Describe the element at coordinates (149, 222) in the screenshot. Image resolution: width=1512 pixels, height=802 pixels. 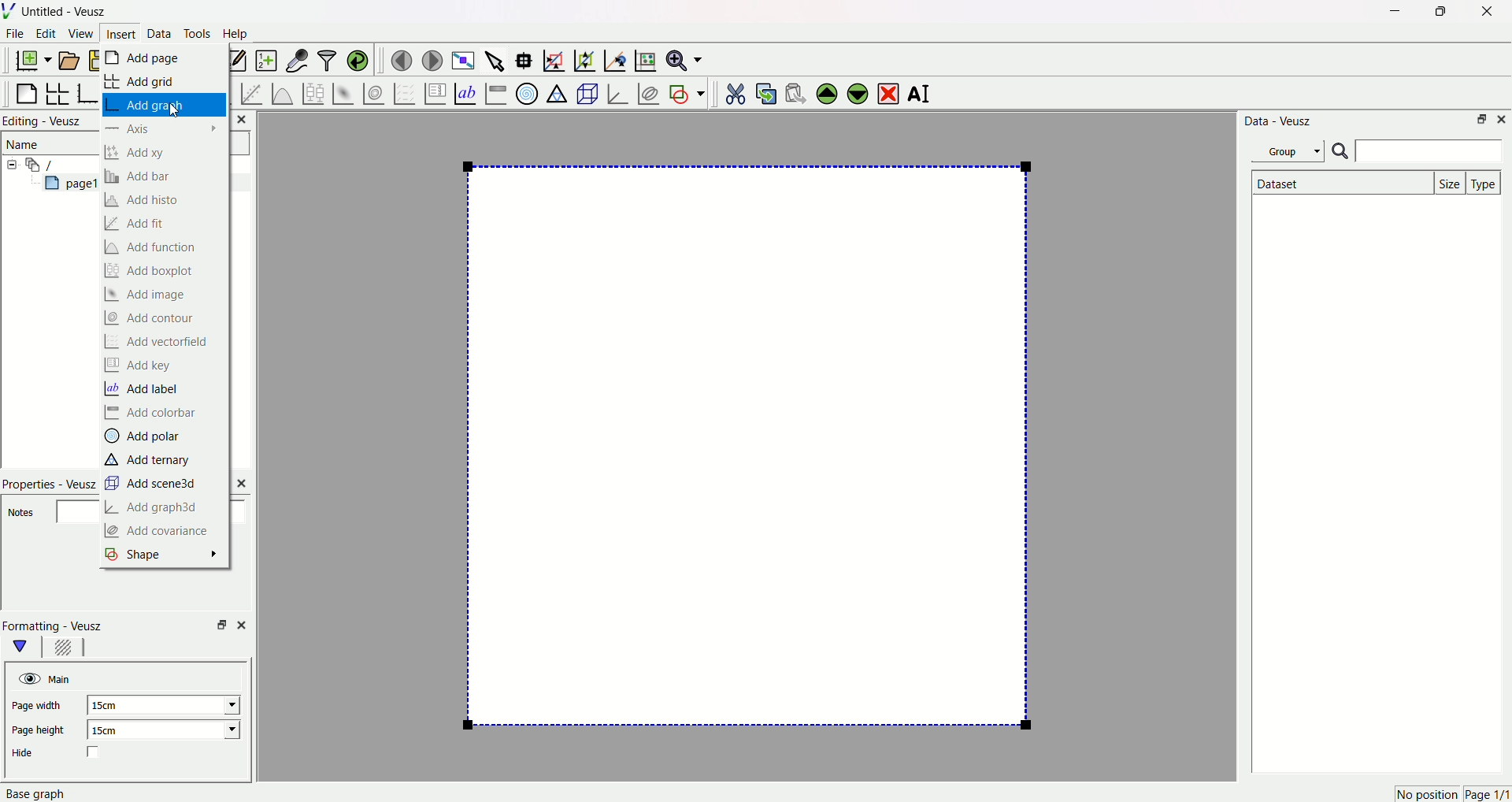
I see `Add fit` at that location.